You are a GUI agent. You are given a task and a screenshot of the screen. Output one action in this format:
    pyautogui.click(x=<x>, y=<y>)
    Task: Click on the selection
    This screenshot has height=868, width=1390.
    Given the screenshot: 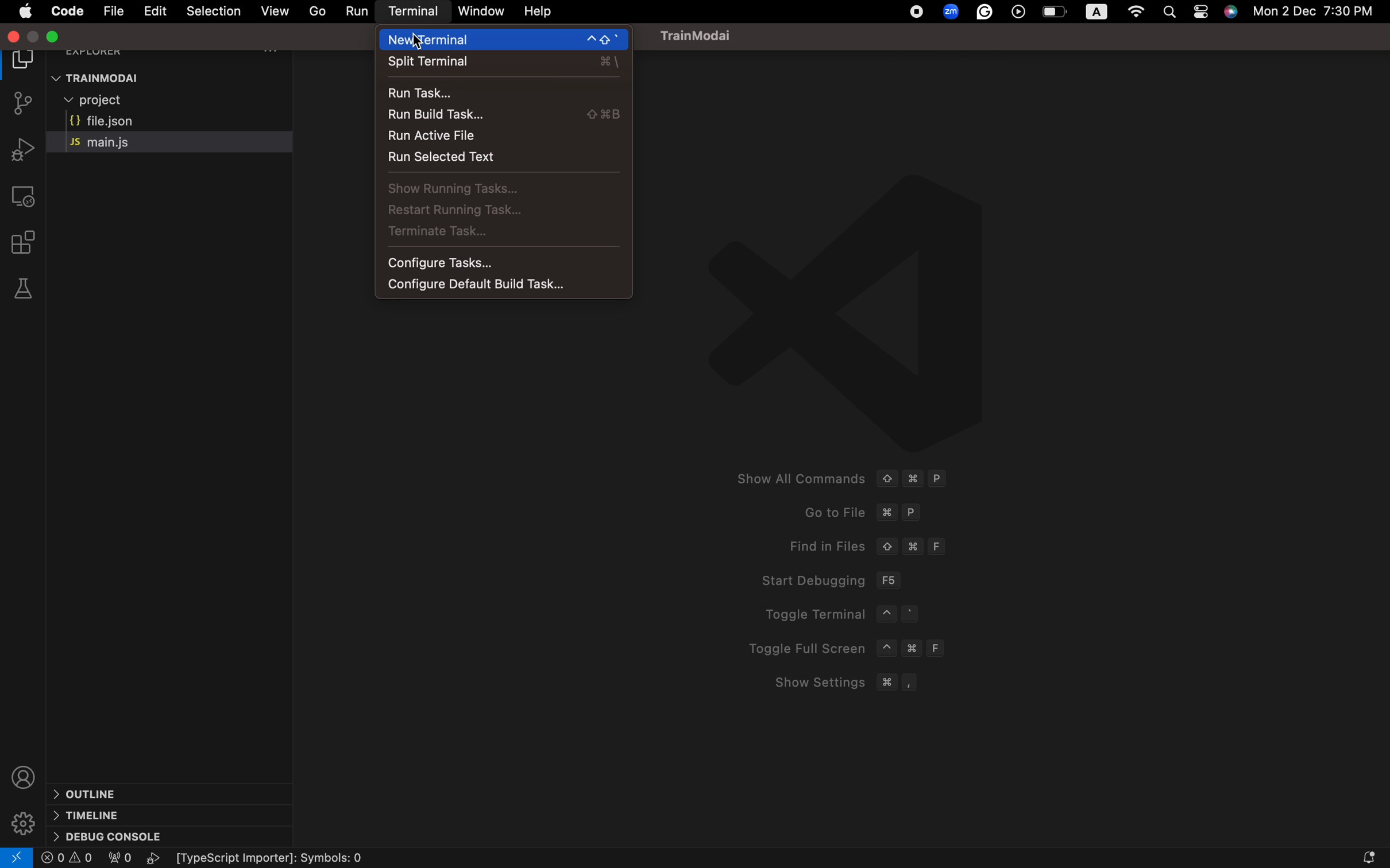 What is the action you would take?
    pyautogui.click(x=213, y=10)
    